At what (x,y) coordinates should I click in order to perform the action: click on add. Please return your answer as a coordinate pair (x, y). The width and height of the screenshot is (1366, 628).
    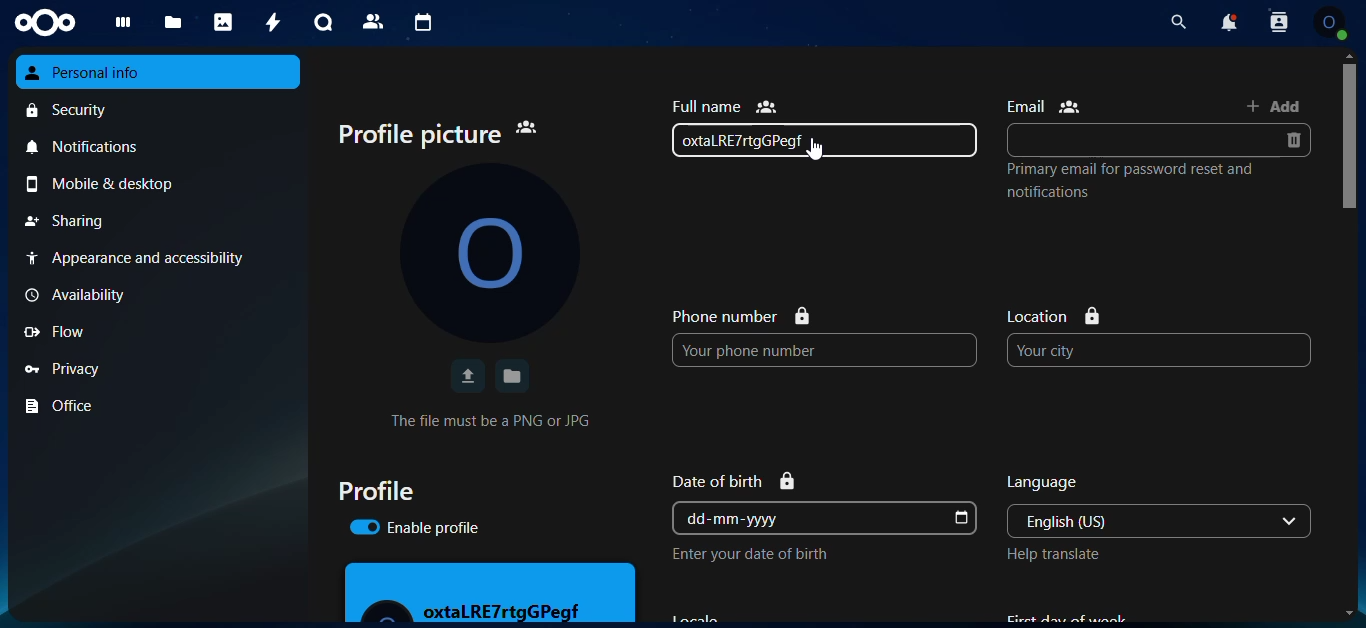
    Looking at the image, I should click on (1274, 105).